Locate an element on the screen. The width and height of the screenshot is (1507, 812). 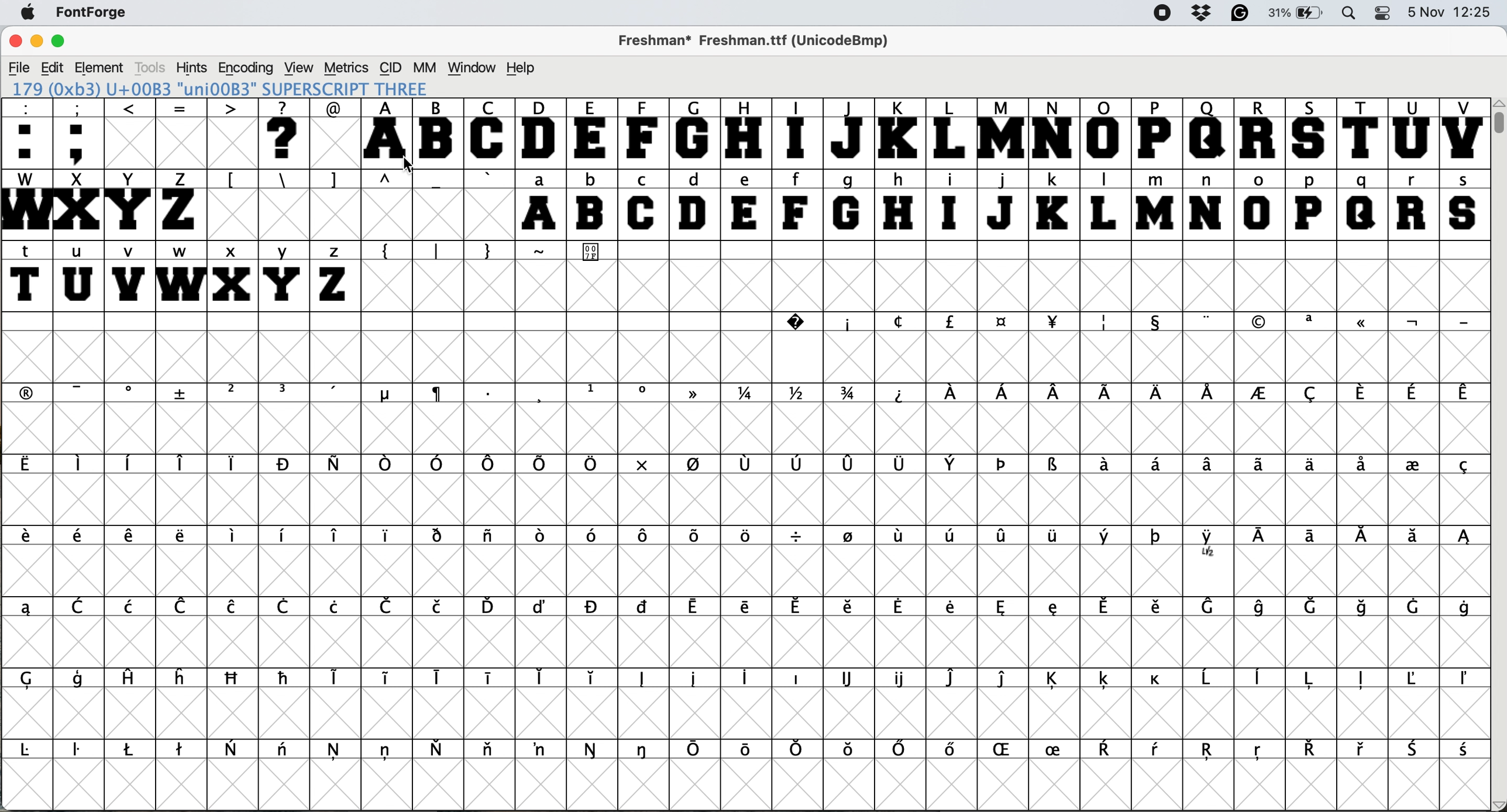
symbol is located at coordinates (1155, 466).